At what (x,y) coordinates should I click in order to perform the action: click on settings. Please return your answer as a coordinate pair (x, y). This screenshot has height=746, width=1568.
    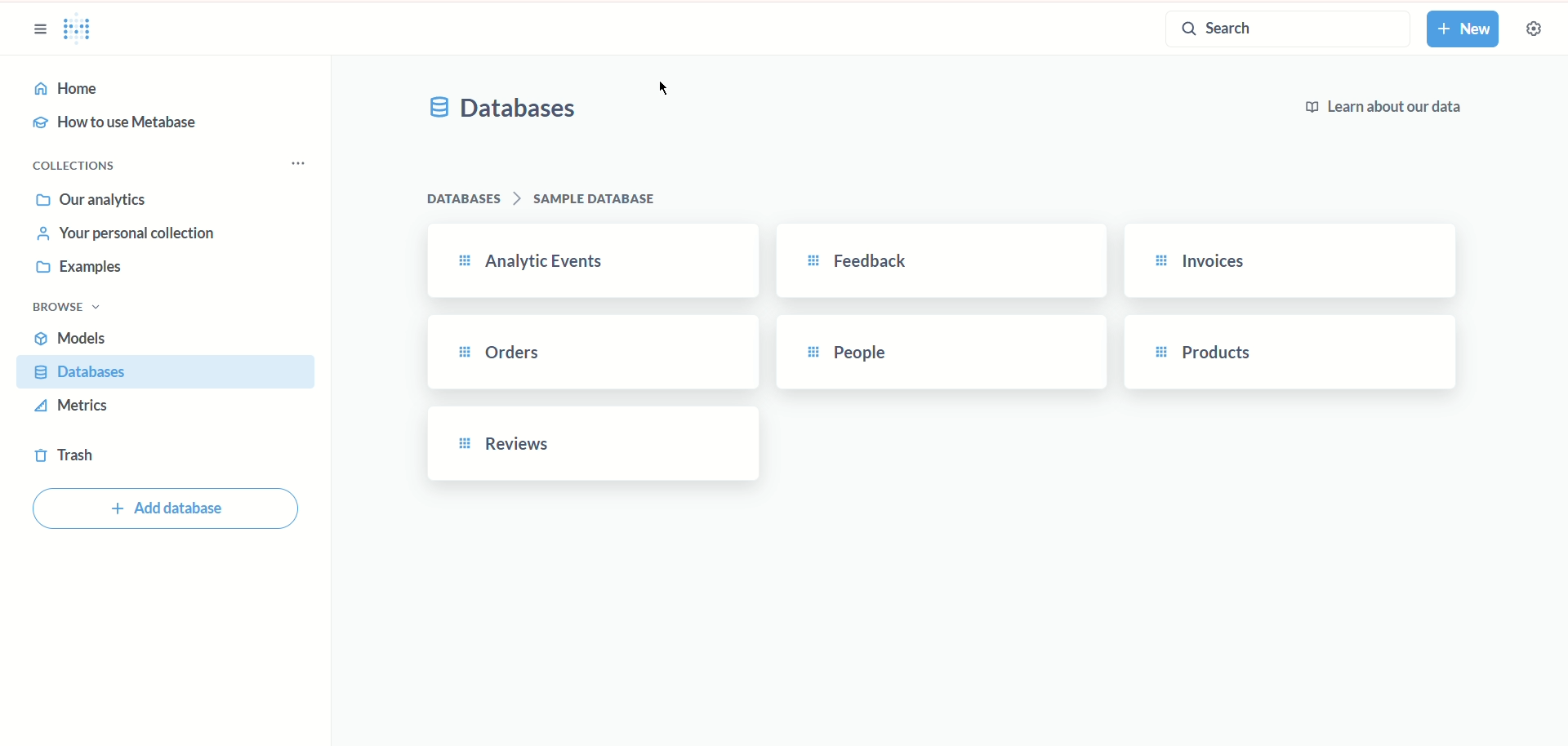
    Looking at the image, I should click on (1536, 29).